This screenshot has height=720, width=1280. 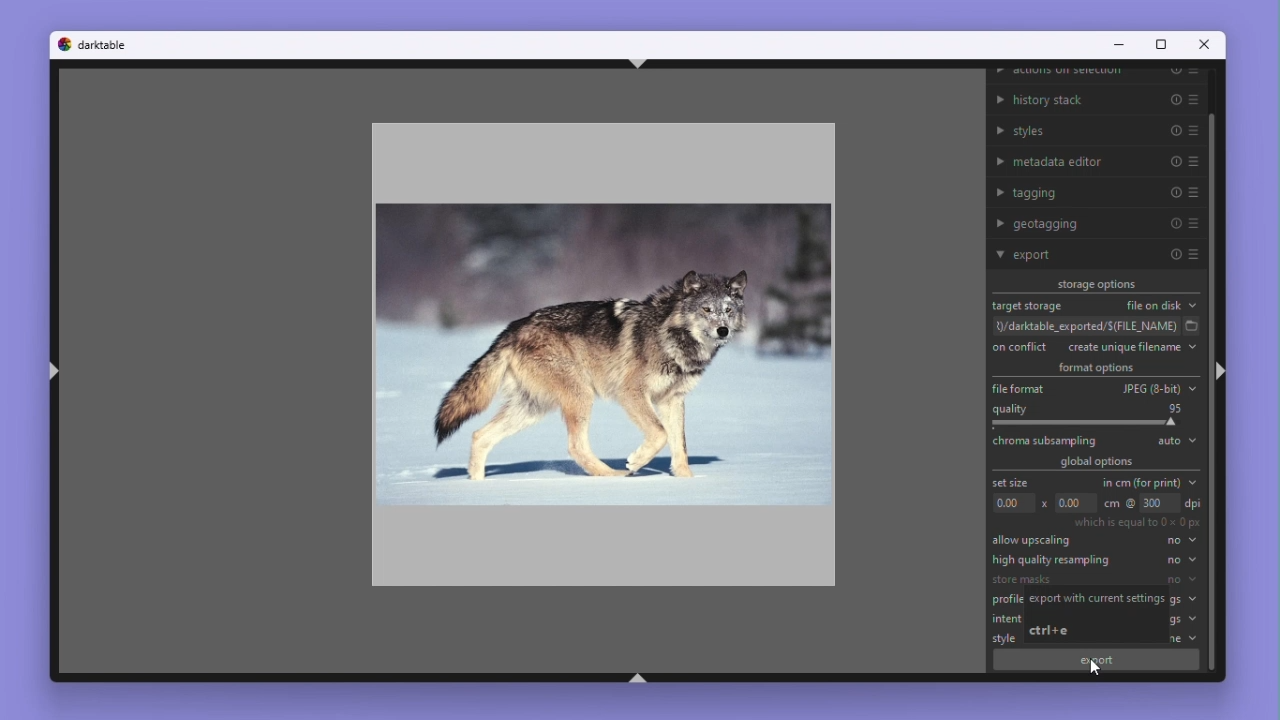 What do you see at coordinates (1150, 482) in the screenshot?
I see `In centimetres` at bounding box center [1150, 482].